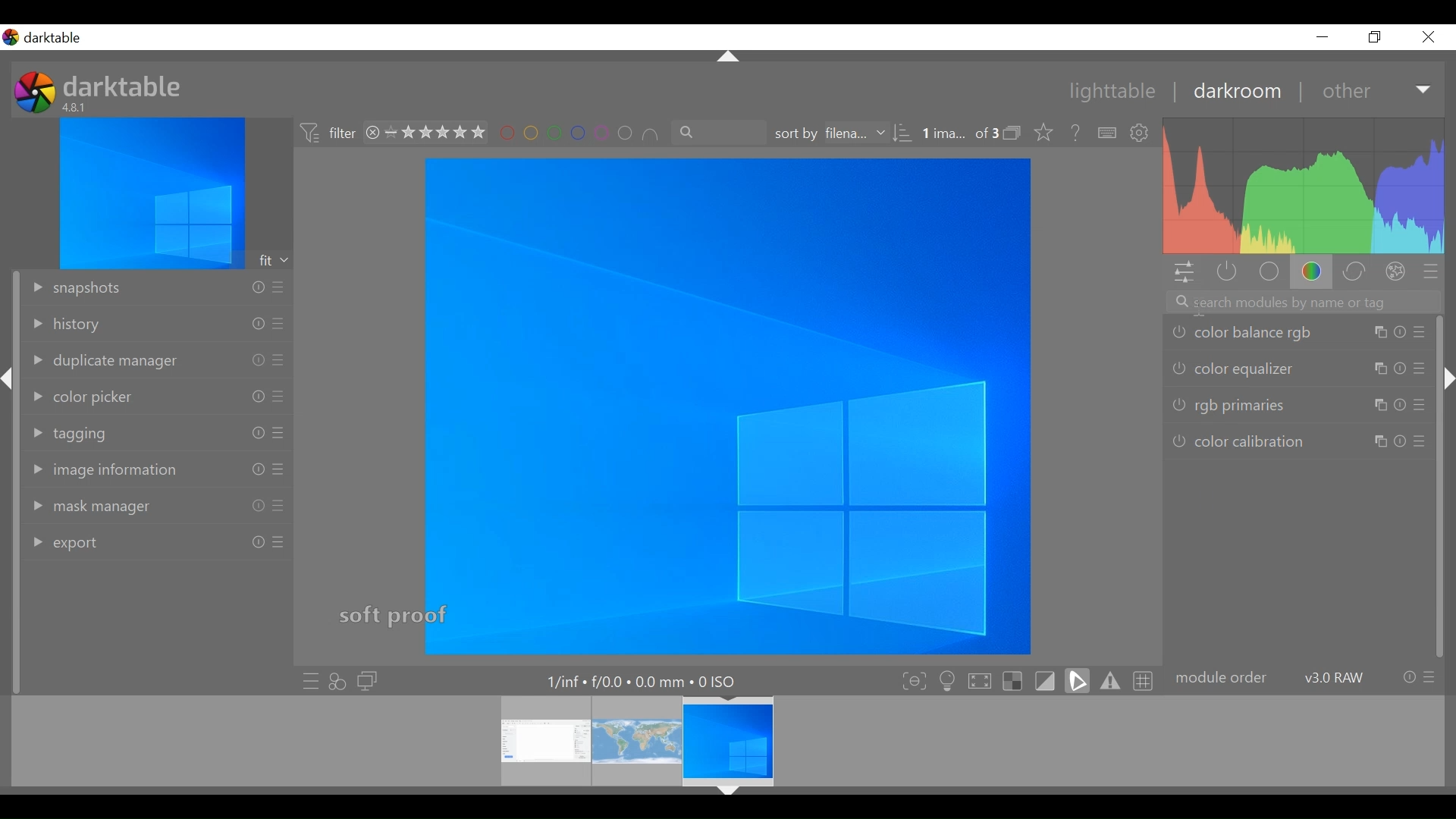 The height and width of the screenshot is (819, 1456). What do you see at coordinates (71, 434) in the screenshot?
I see `tagging` at bounding box center [71, 434].